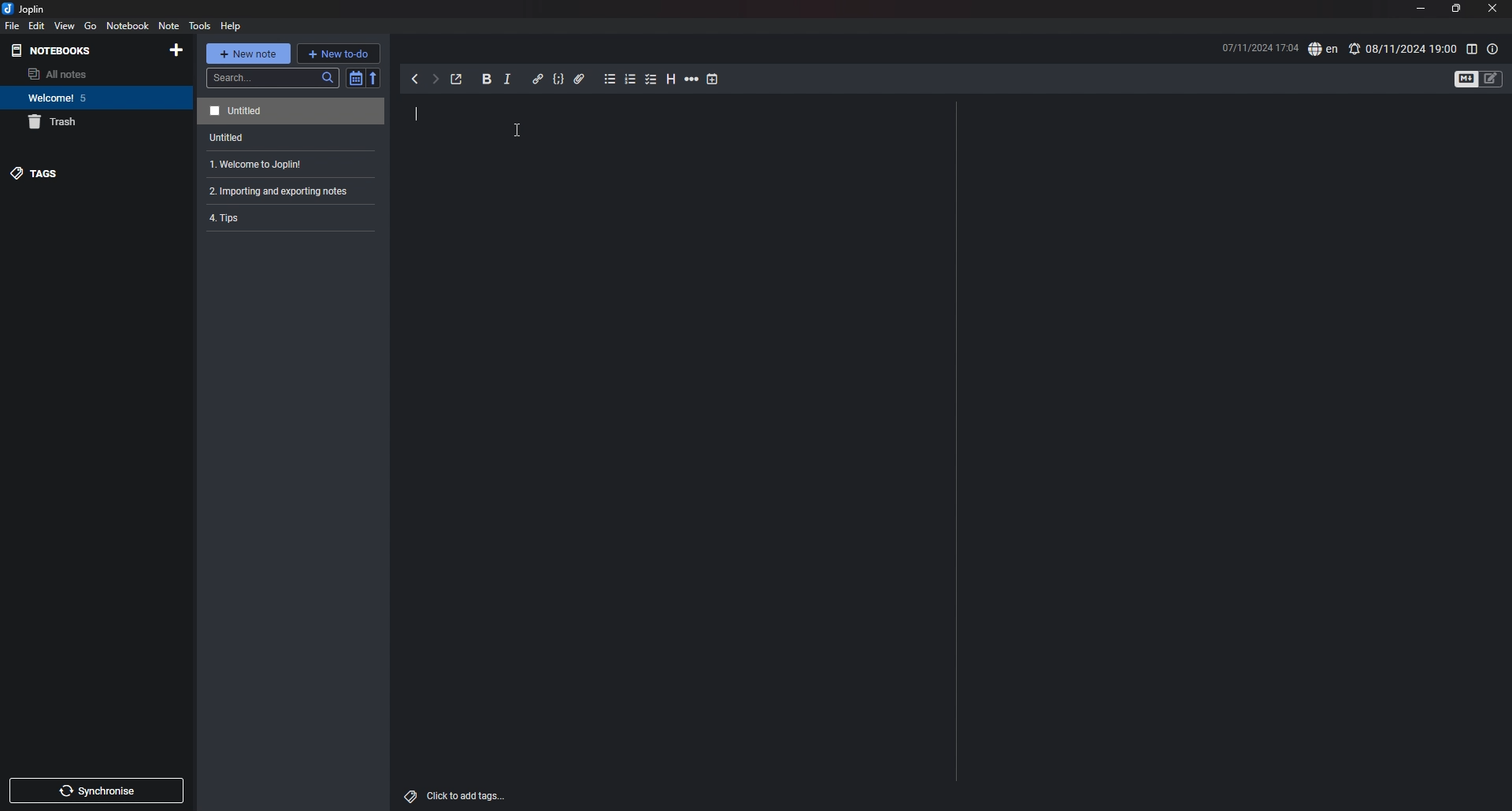 The width and height of the screenshot is (1512, 811). What do you see at coordinates (1356, 47) in the screenshot?
I see `notification` at bounding box center [1356, 47].